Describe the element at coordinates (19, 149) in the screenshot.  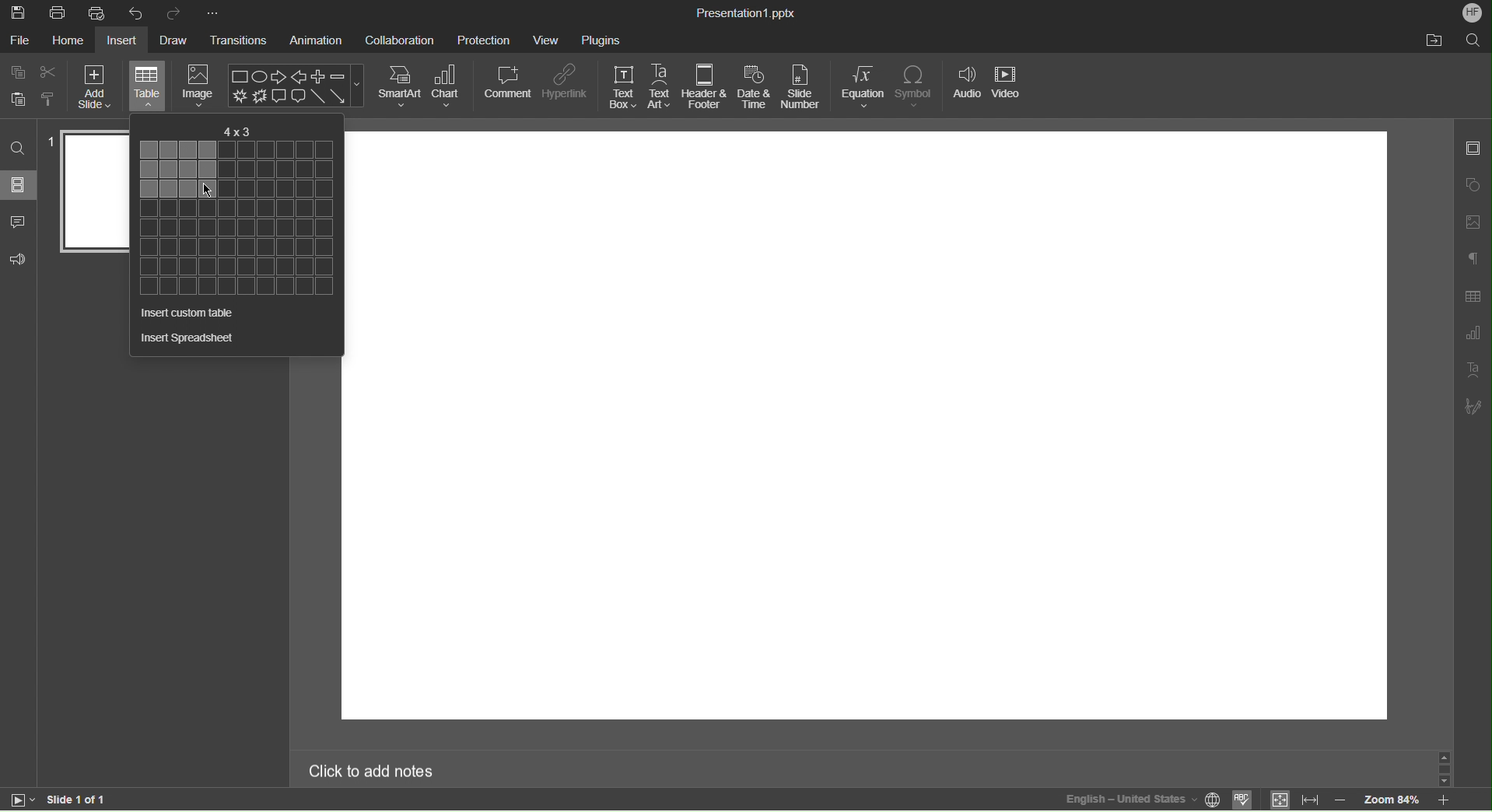
I see `Search` at that location.